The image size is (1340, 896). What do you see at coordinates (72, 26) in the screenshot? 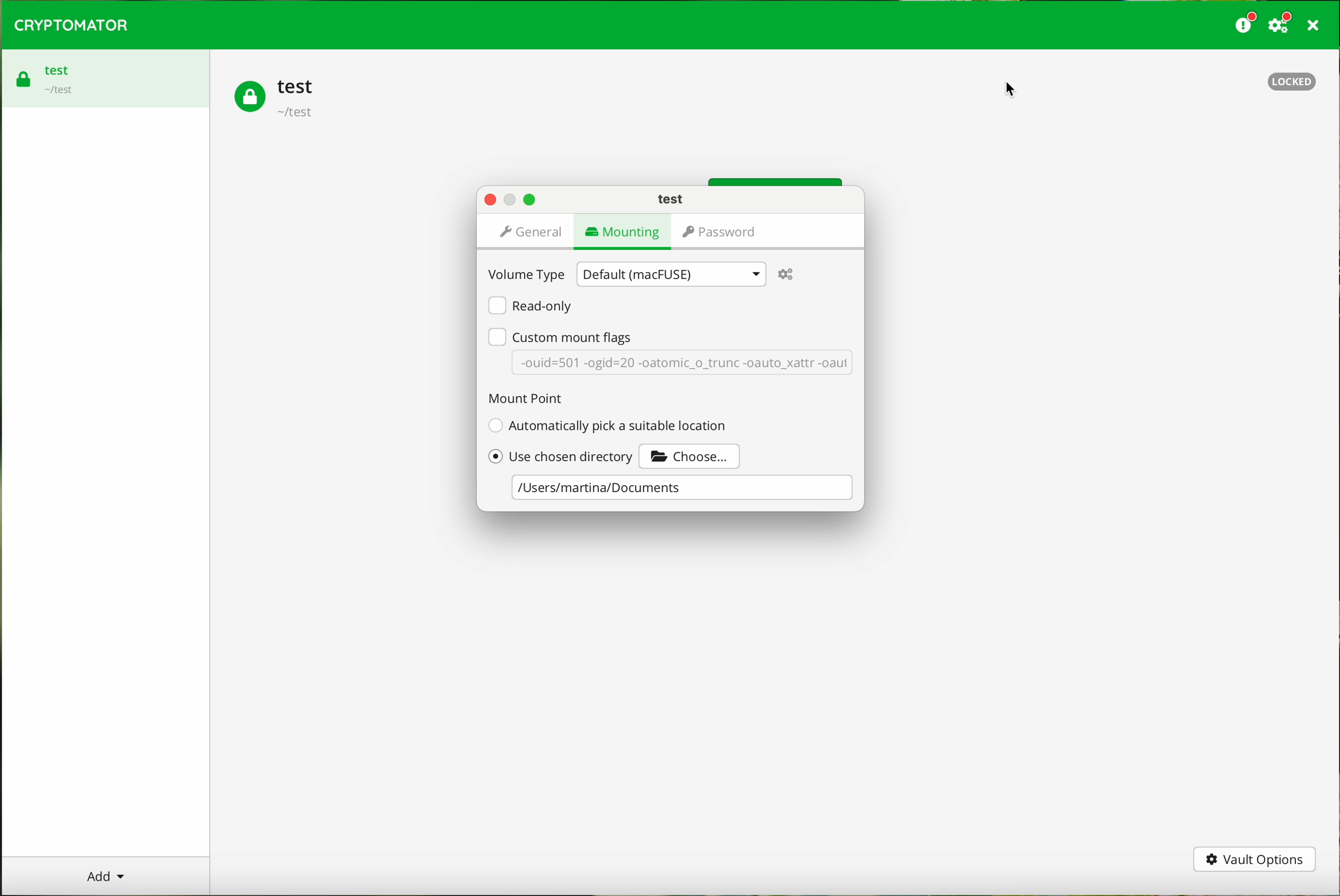
I see `cryptomator` at bounding box center [72, 26].